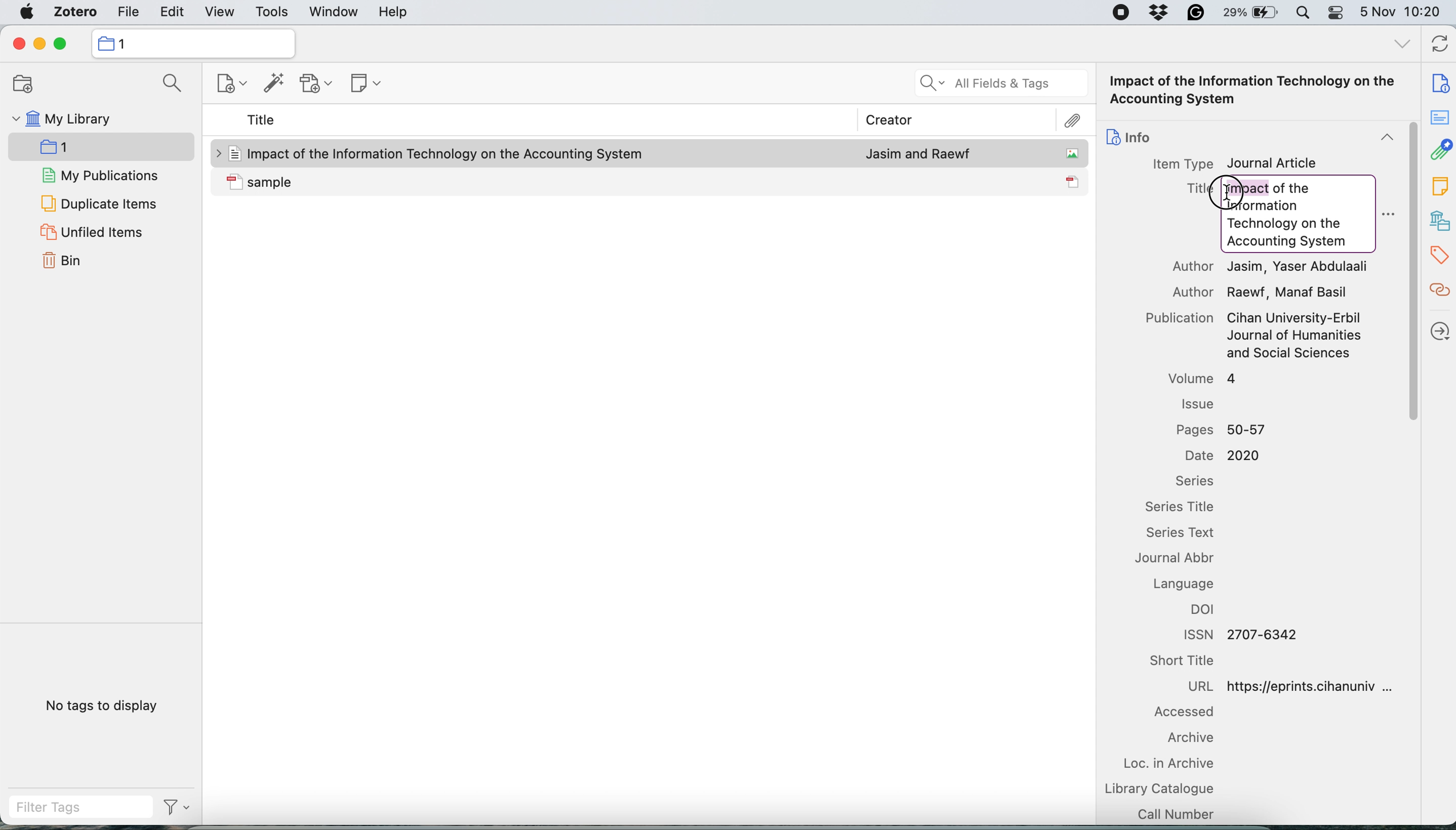  What do you see at coordinates (100, 175) in the screenshot?
I see `my publications` at bounding box center [100, 175].